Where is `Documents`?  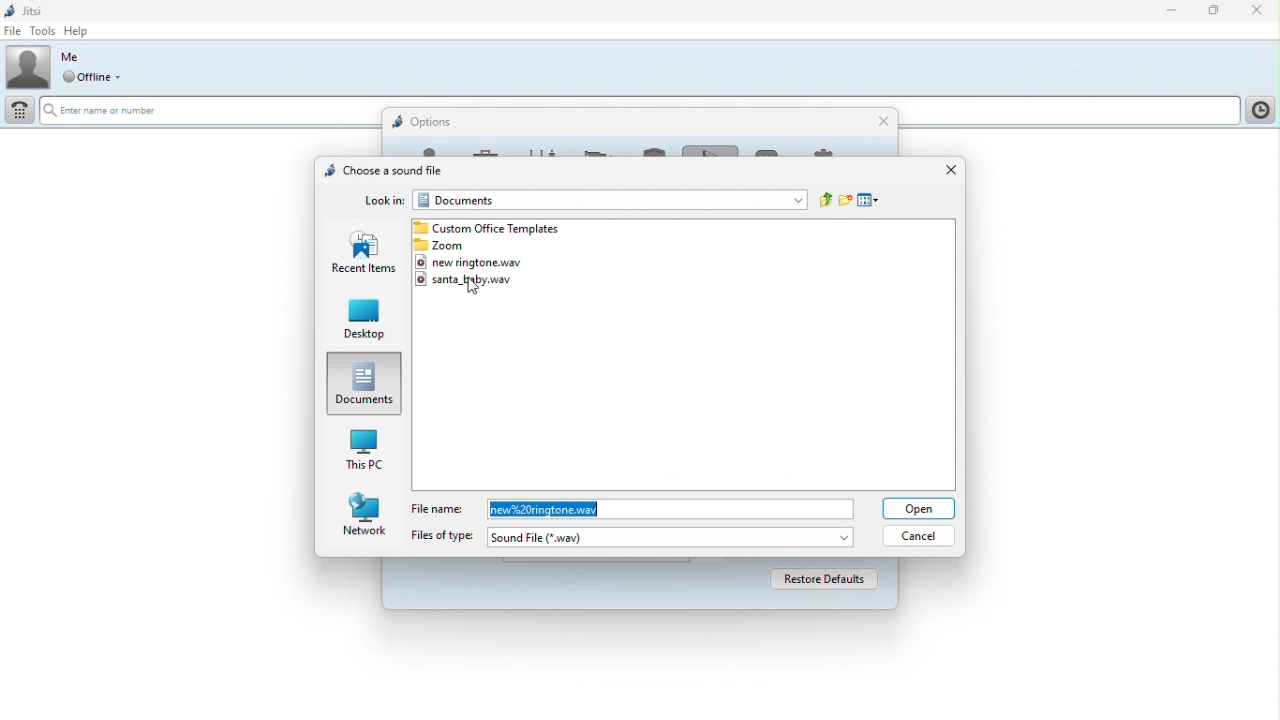 Documents is located at coordinates (367, 382).